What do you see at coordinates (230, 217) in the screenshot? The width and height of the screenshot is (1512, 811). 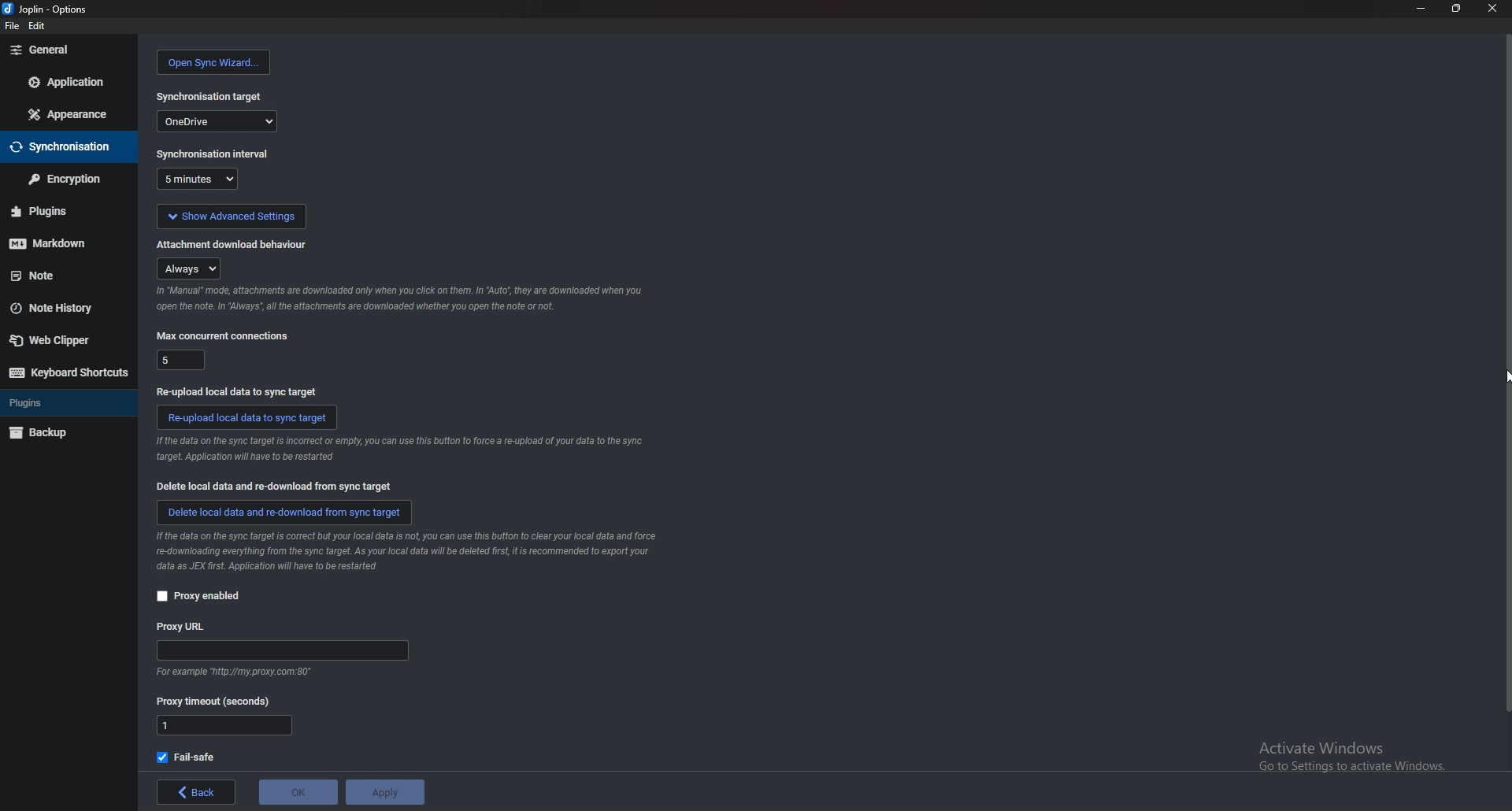 I see `show advanced settings` at bounding box center [230, 217].